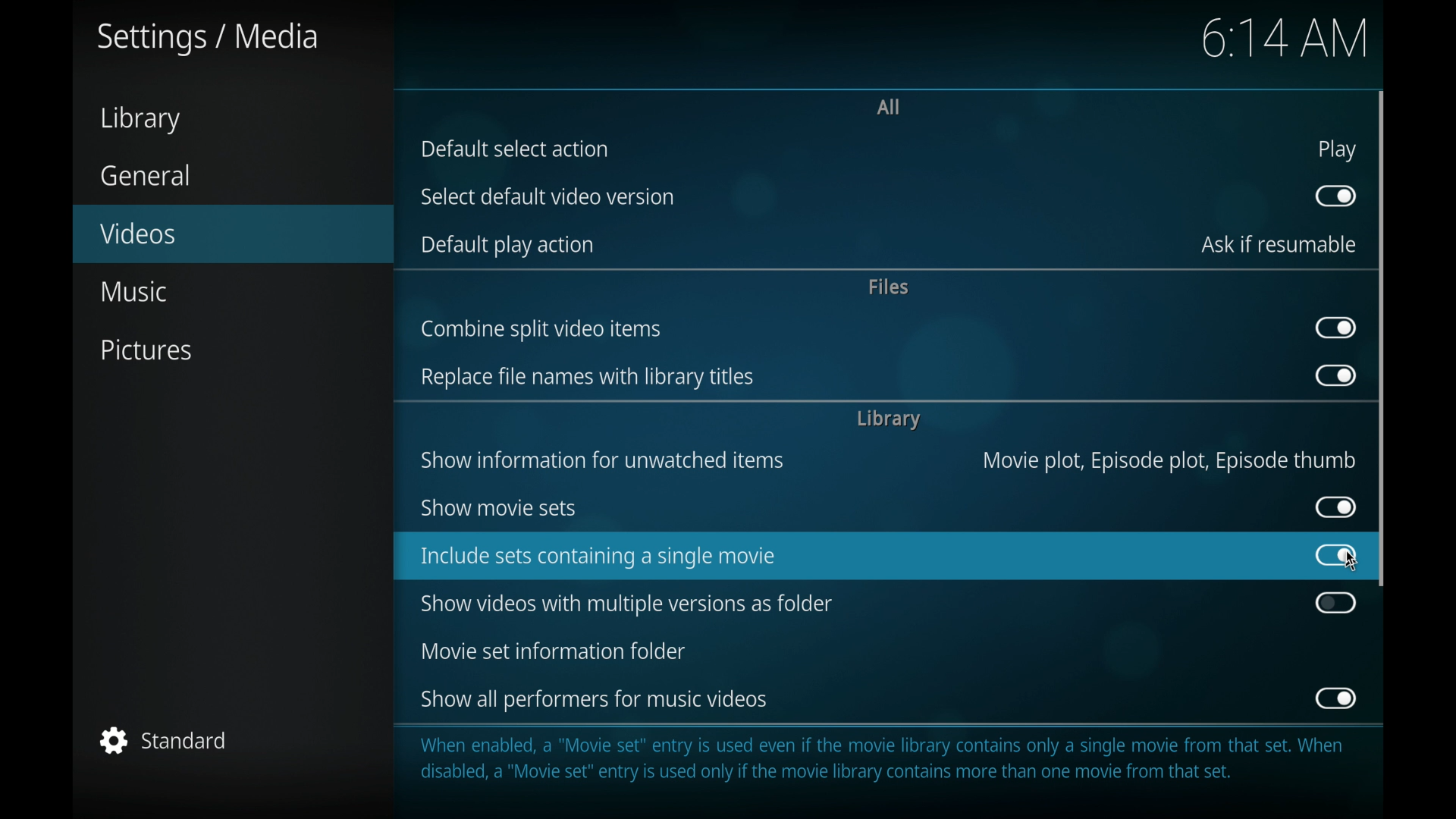 This screenshot has width=1456, height=819. Describe the element at coordinates (892, 760) in the screenshot. I see `When enabled, a "Movie set" entry is used even if the movie library contains only a single movie from that set. When
disabled, a "Movie set" entry is used only if the movie library contains more than one movie from that set.` at that location.